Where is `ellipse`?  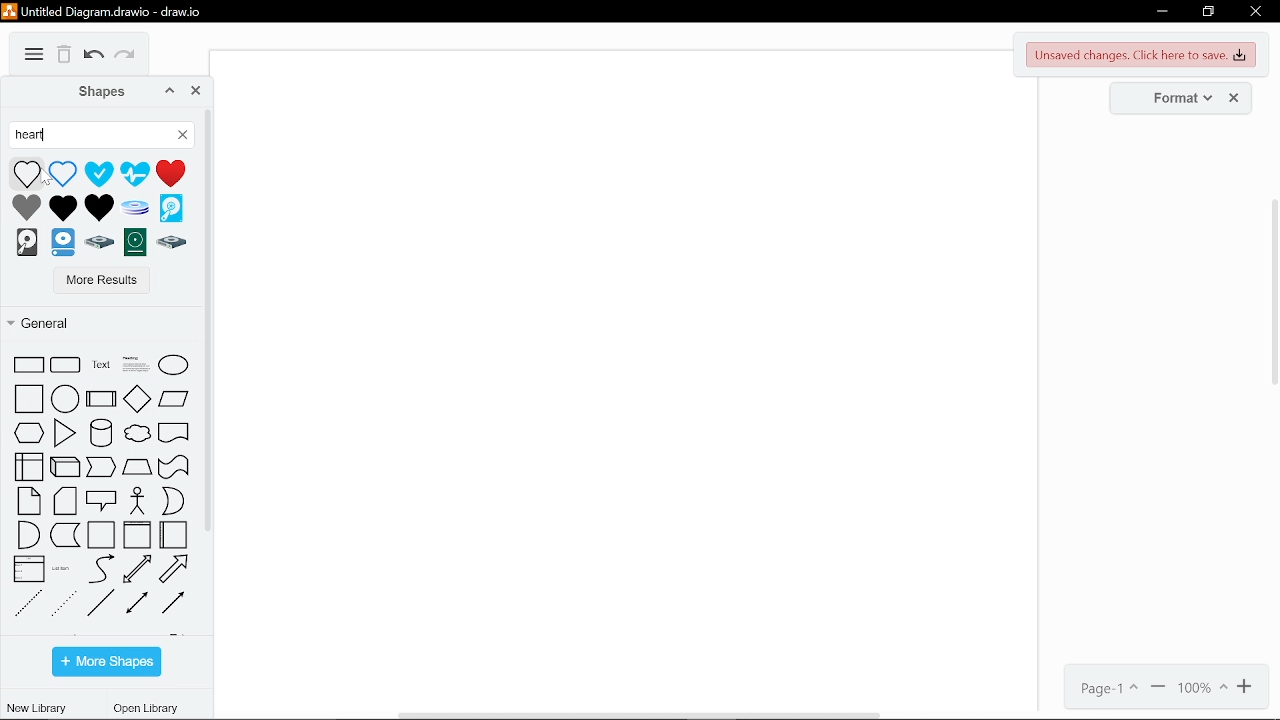
ellipse is located at coordinates (173, 361).